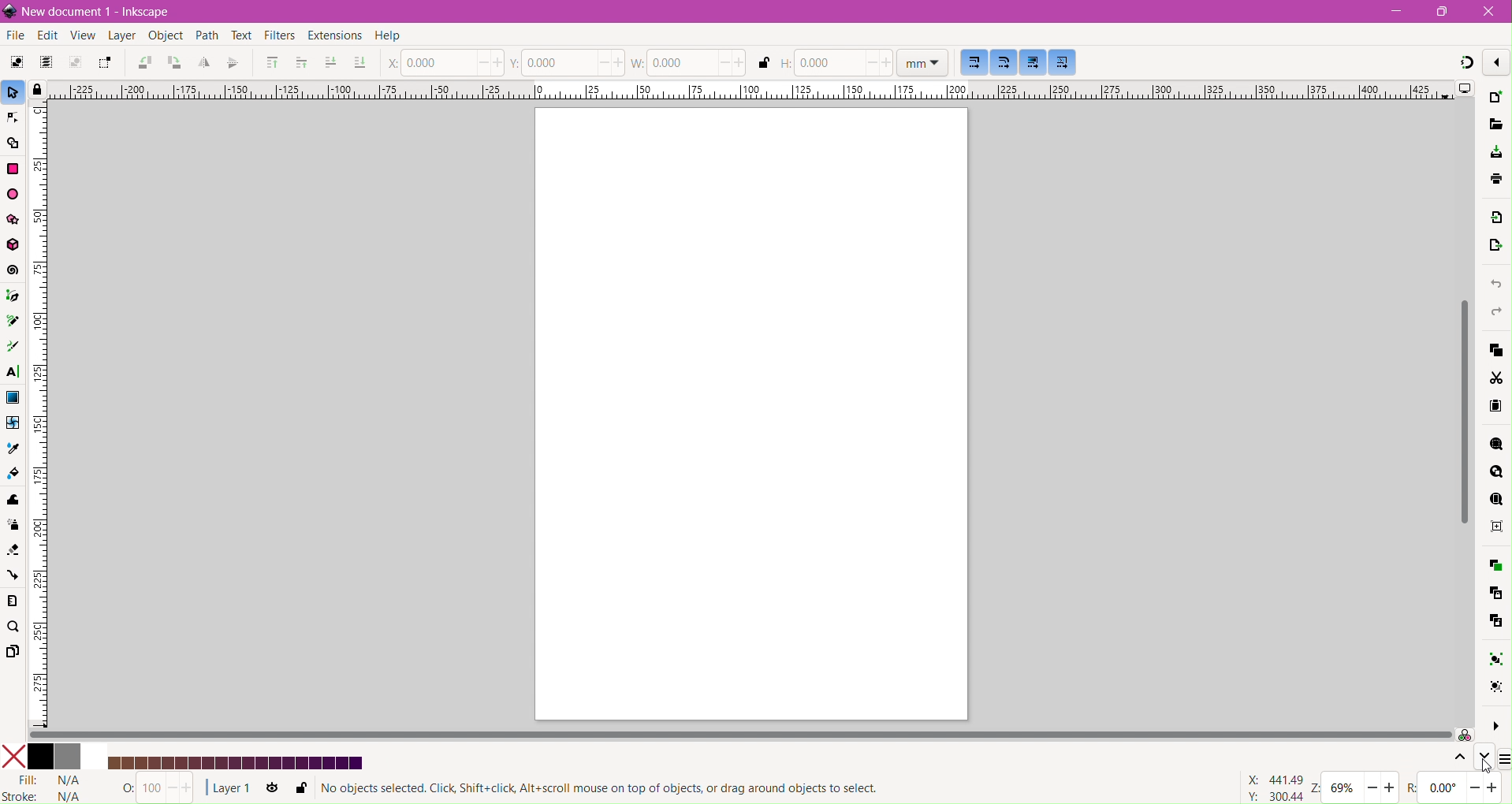 The width and height of the screenshot is (1512, 804). What do you see at coordinates (1503, 761) in the screenshot?
I see `Configure Color Palette` at bounding box center [1503, 761].